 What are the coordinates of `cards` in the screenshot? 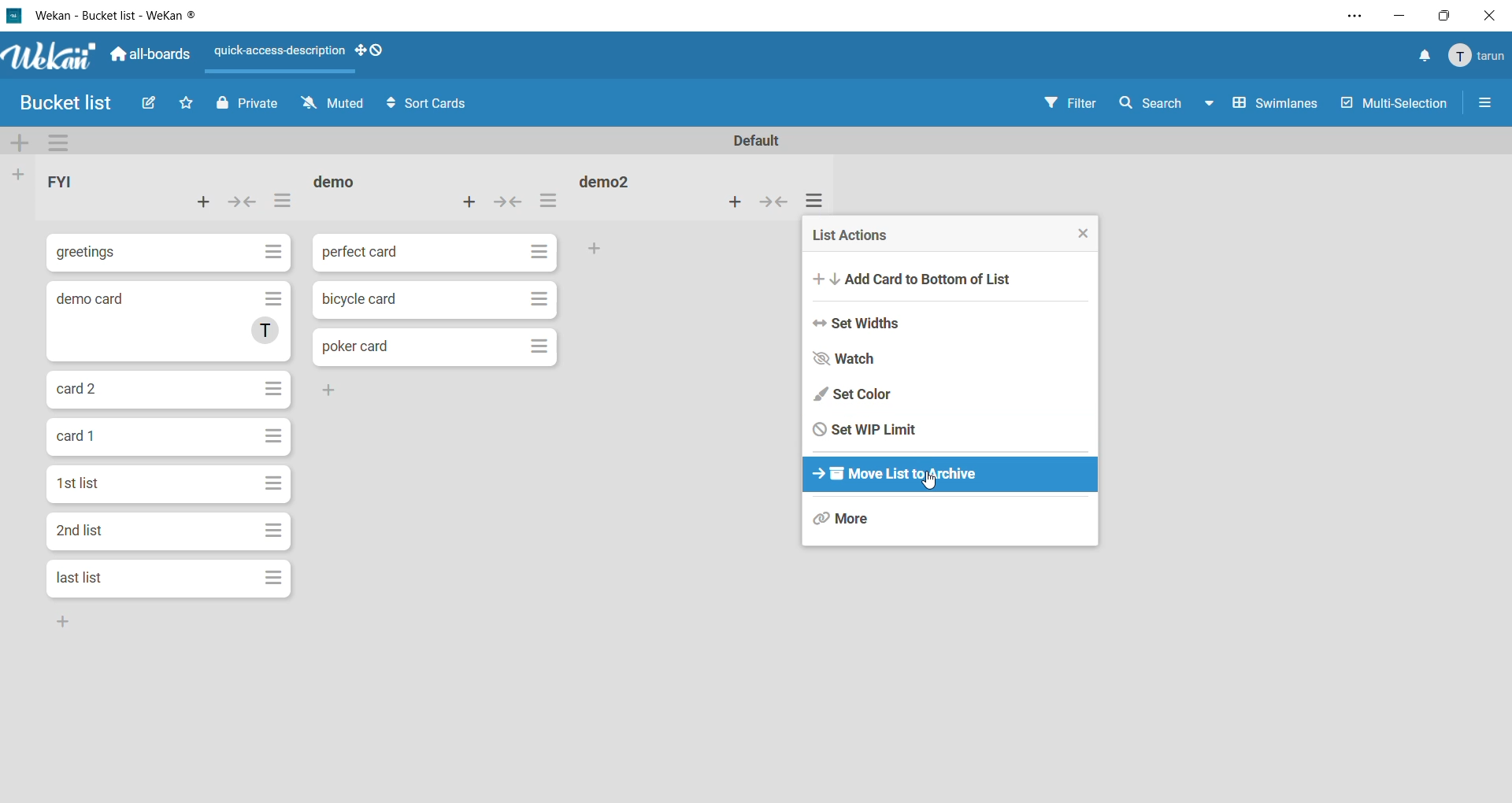 It's located at (169, 579).